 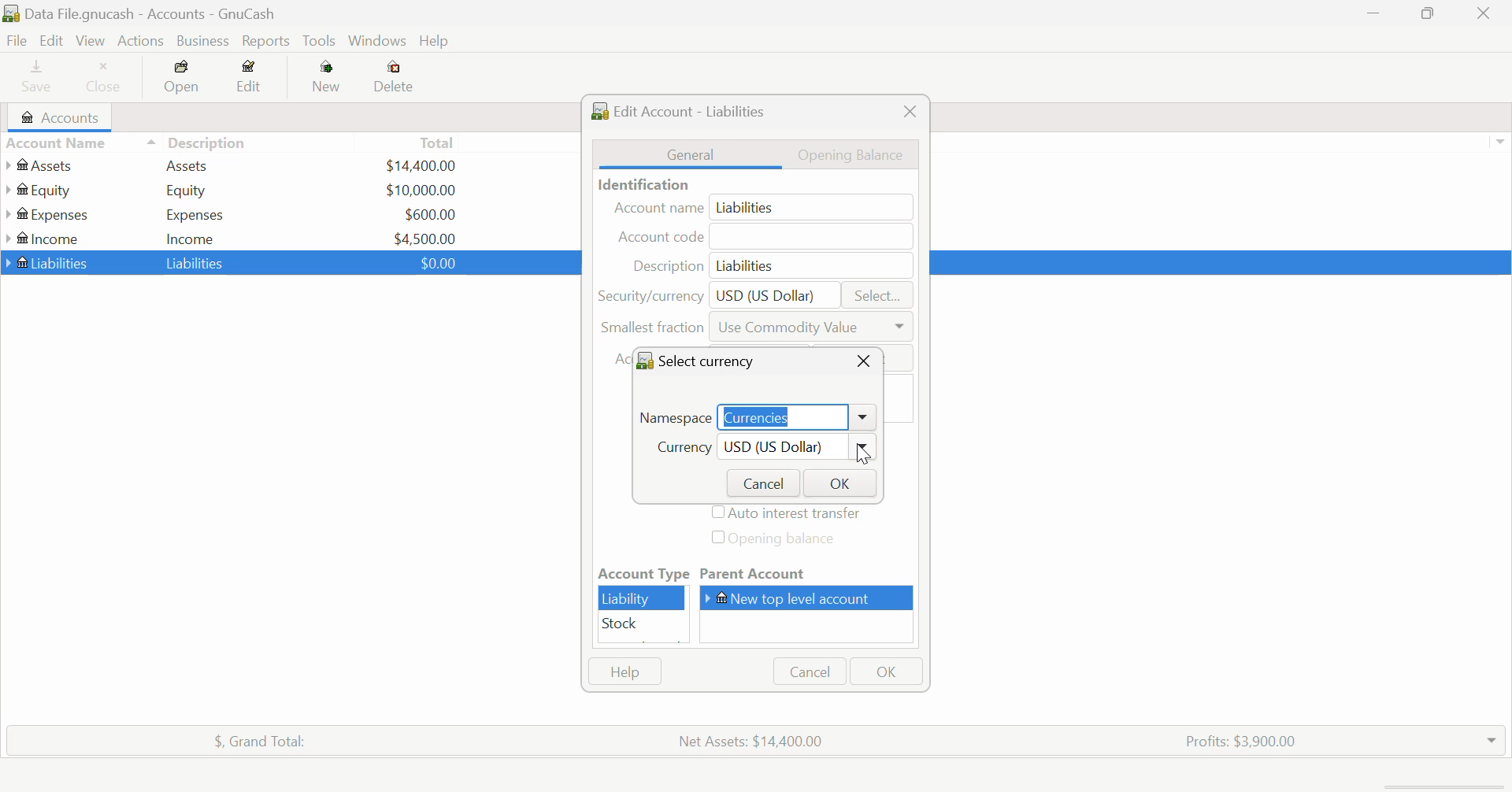 I want to click on Equity, so click(x=189, y=190).